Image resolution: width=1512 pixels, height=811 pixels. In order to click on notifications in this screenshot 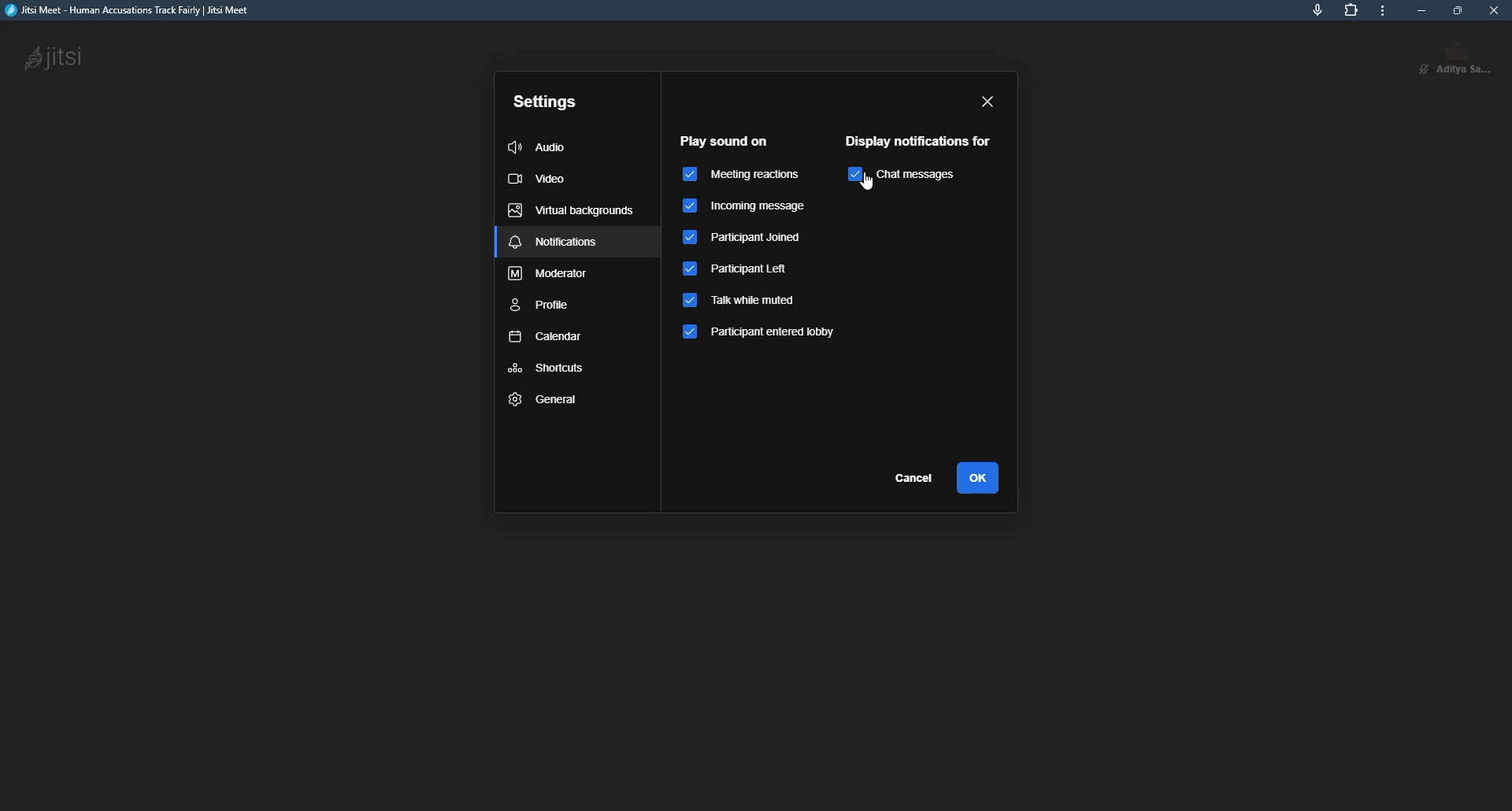, I will do `click(556, 242)`.